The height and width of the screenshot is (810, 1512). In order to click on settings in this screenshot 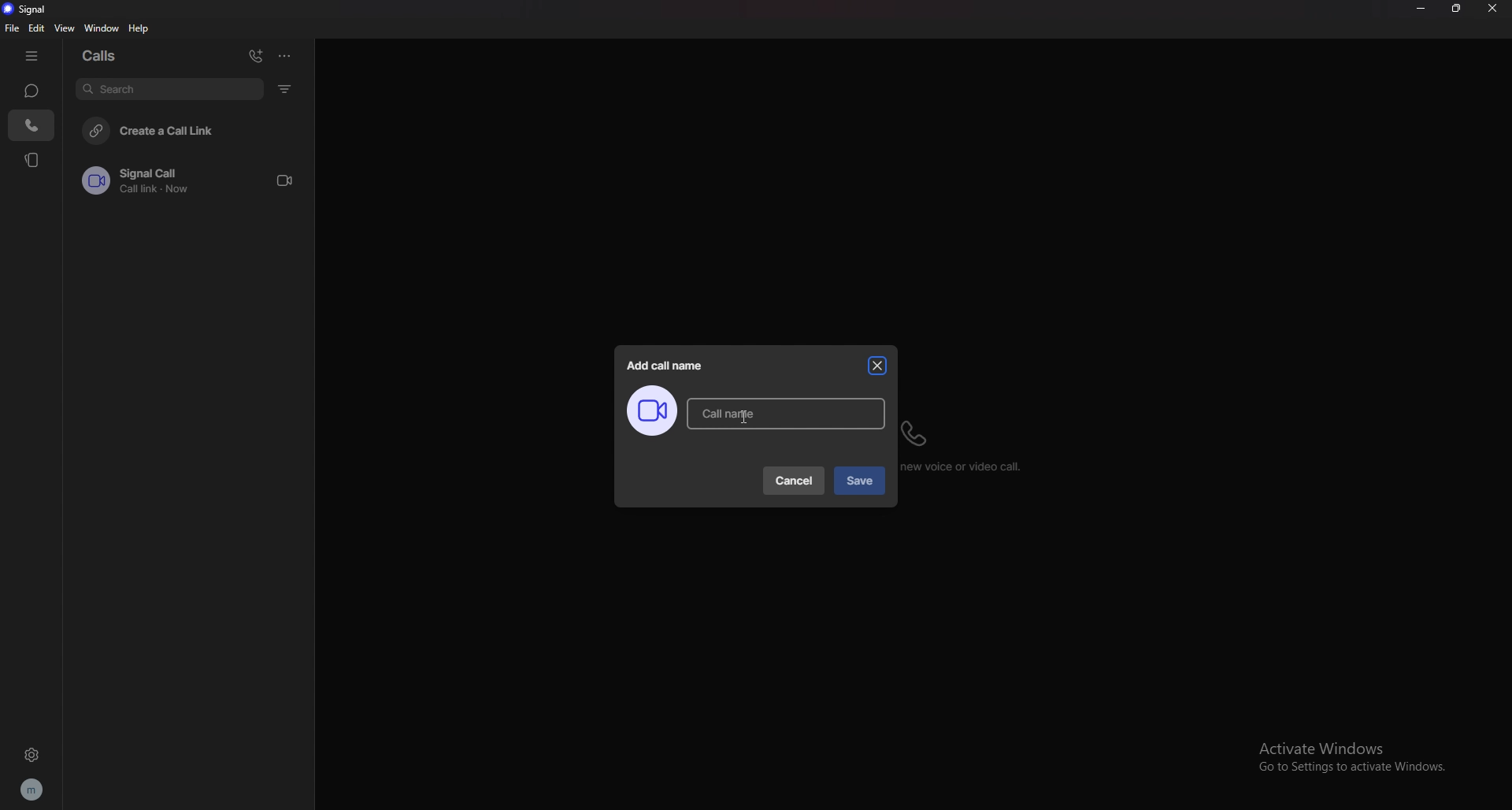, I will do `click(31, 754)`.